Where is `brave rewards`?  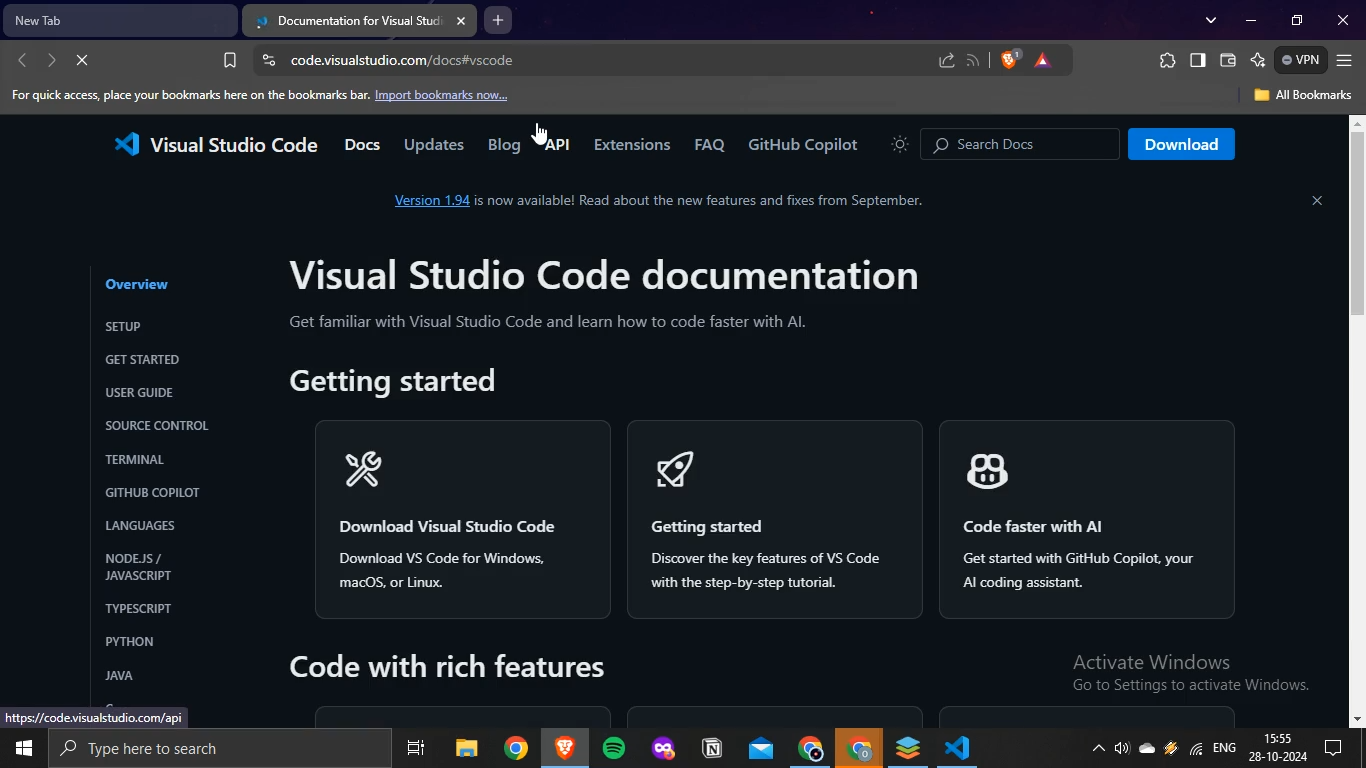
brave rewards is located at coordinates (1044, 59).